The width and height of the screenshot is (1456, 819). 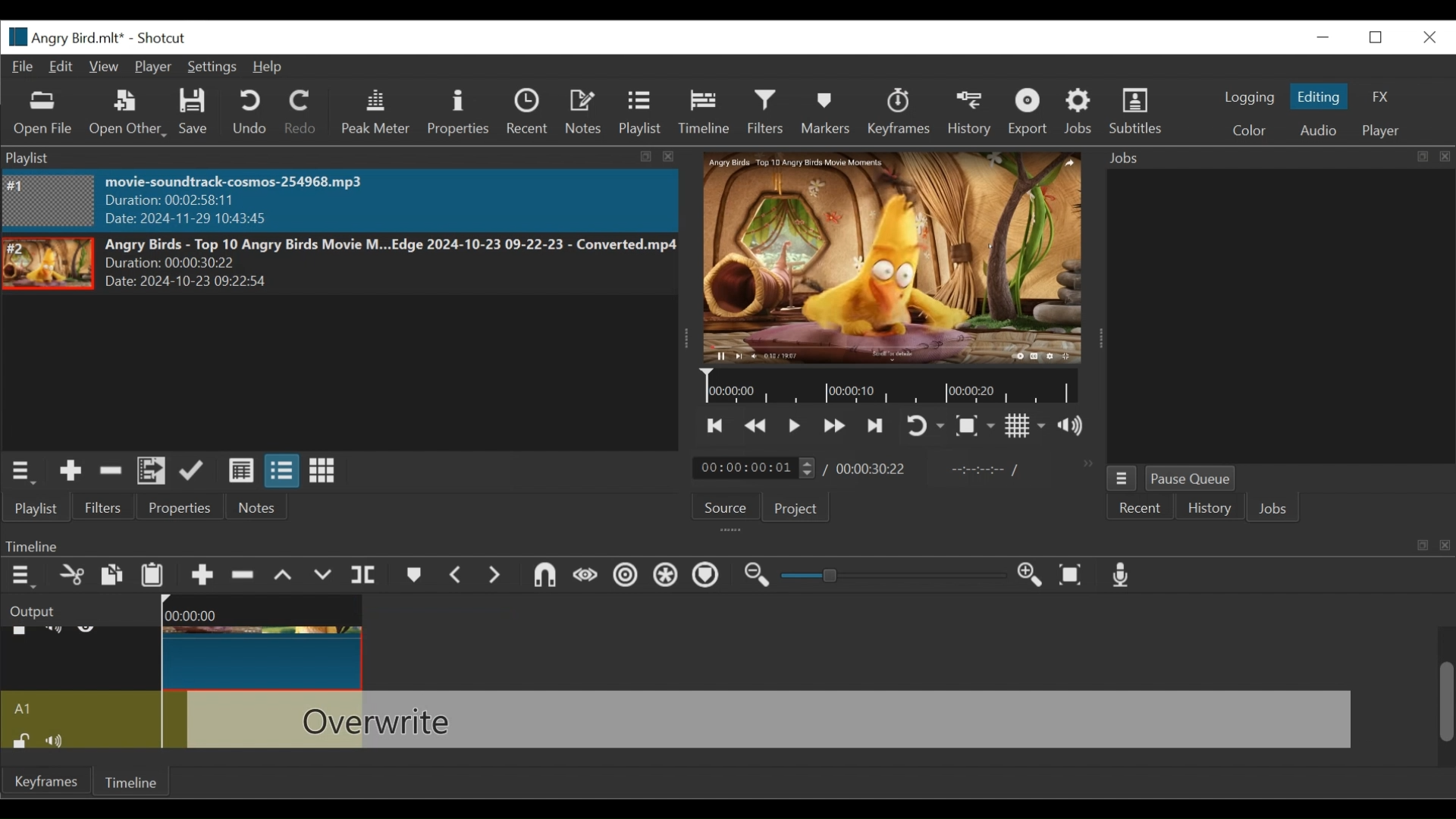 What do you see at coordinates (706, 578) in the screenshot?
I see `Ripple Markers` at bounding box center [706, 578].